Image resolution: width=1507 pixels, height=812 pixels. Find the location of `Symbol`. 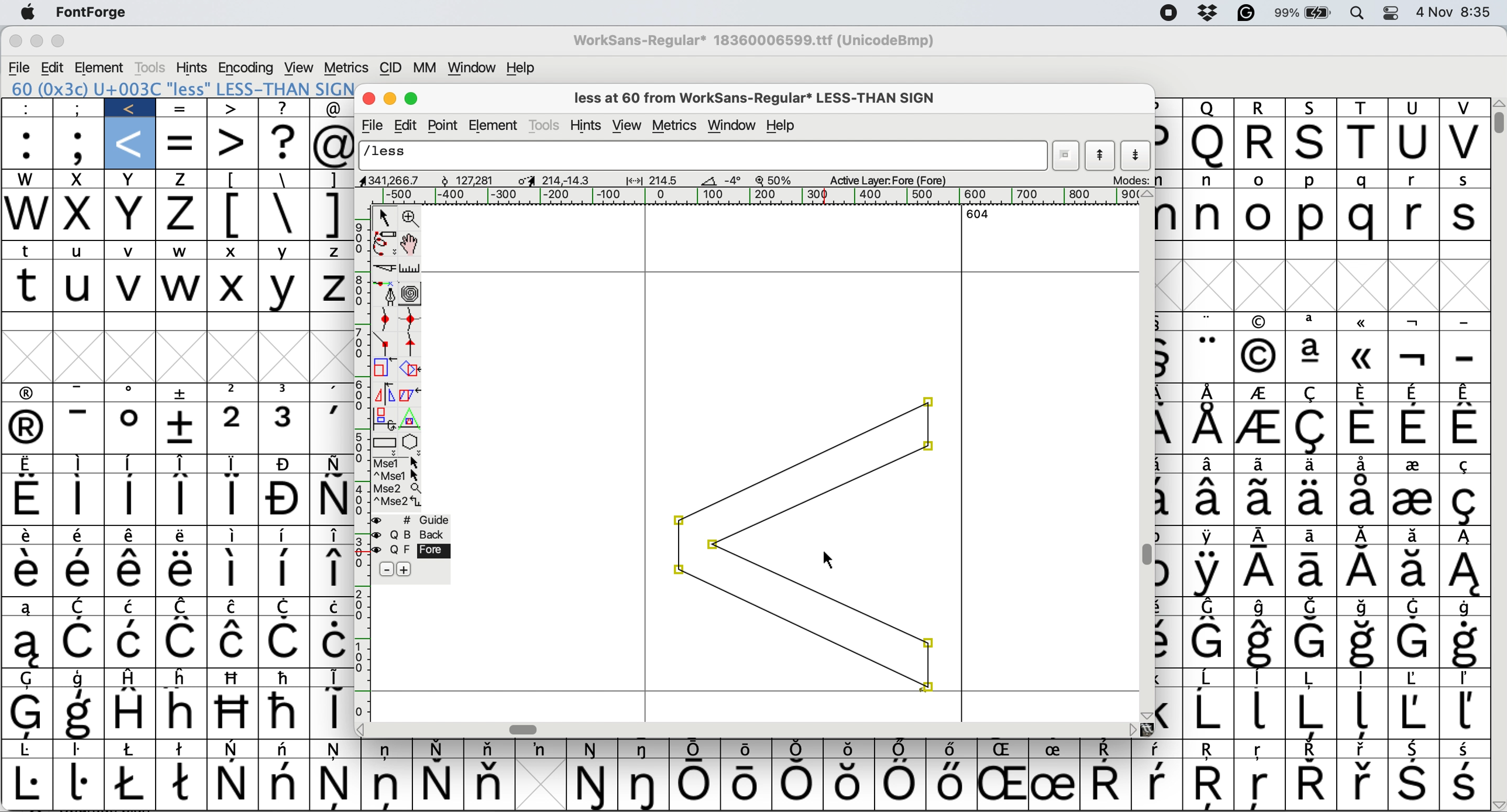

Symbol is located at coordinates (494, 748).